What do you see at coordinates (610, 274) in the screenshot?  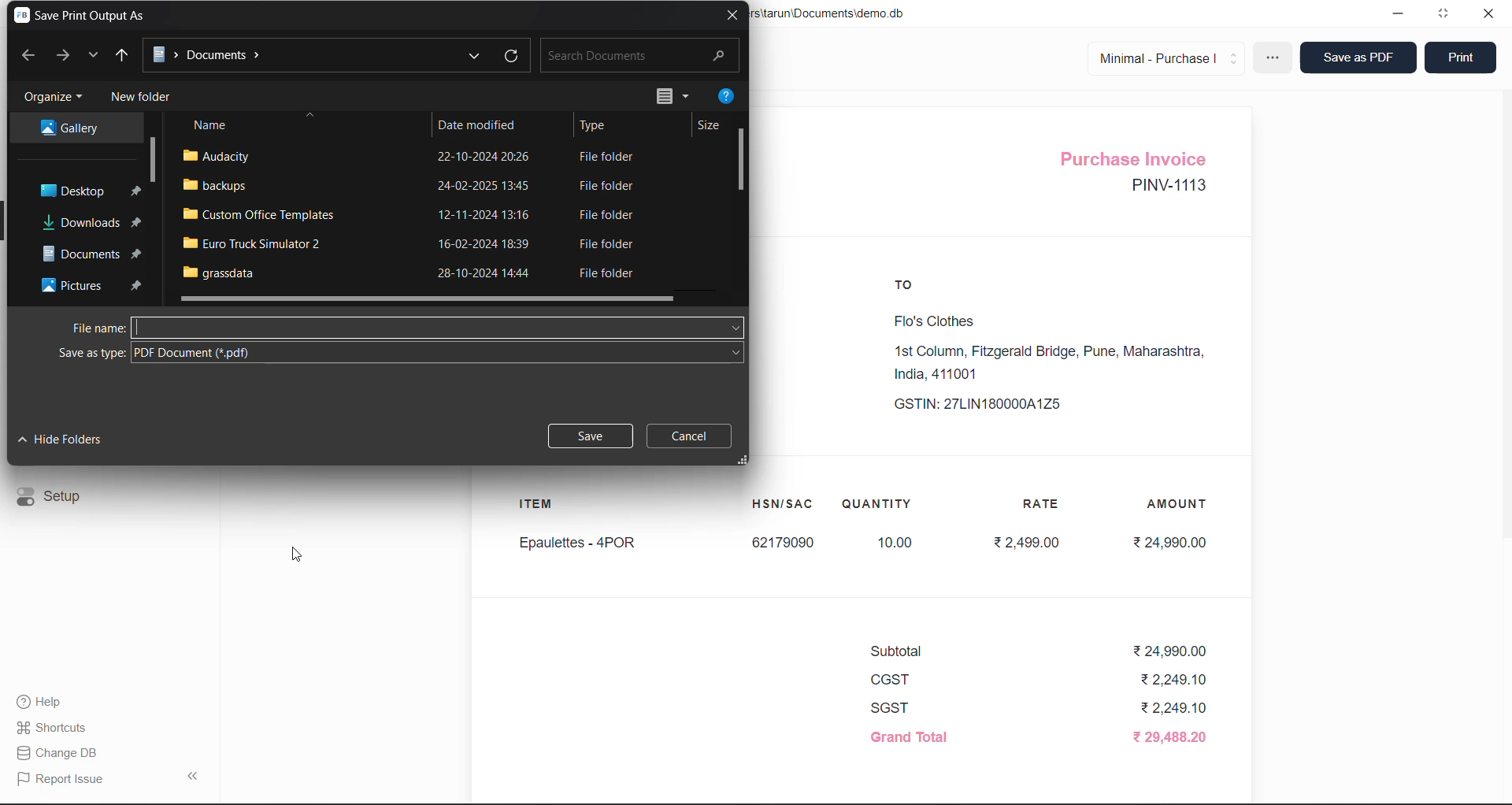 I see `File folder` at bounding box center [610, 274].